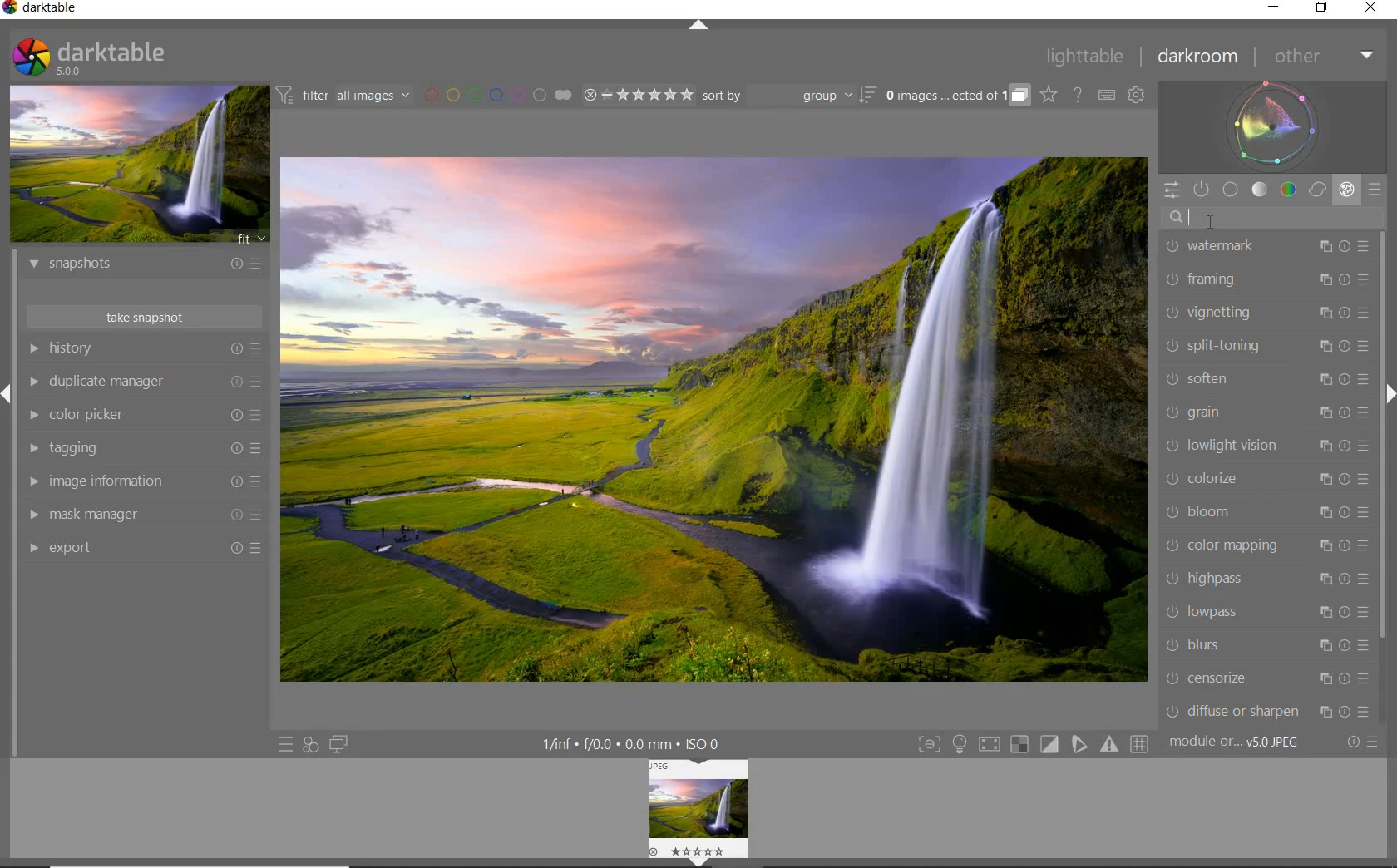  I want to click on Expand/Collapse, so click(8, 397).